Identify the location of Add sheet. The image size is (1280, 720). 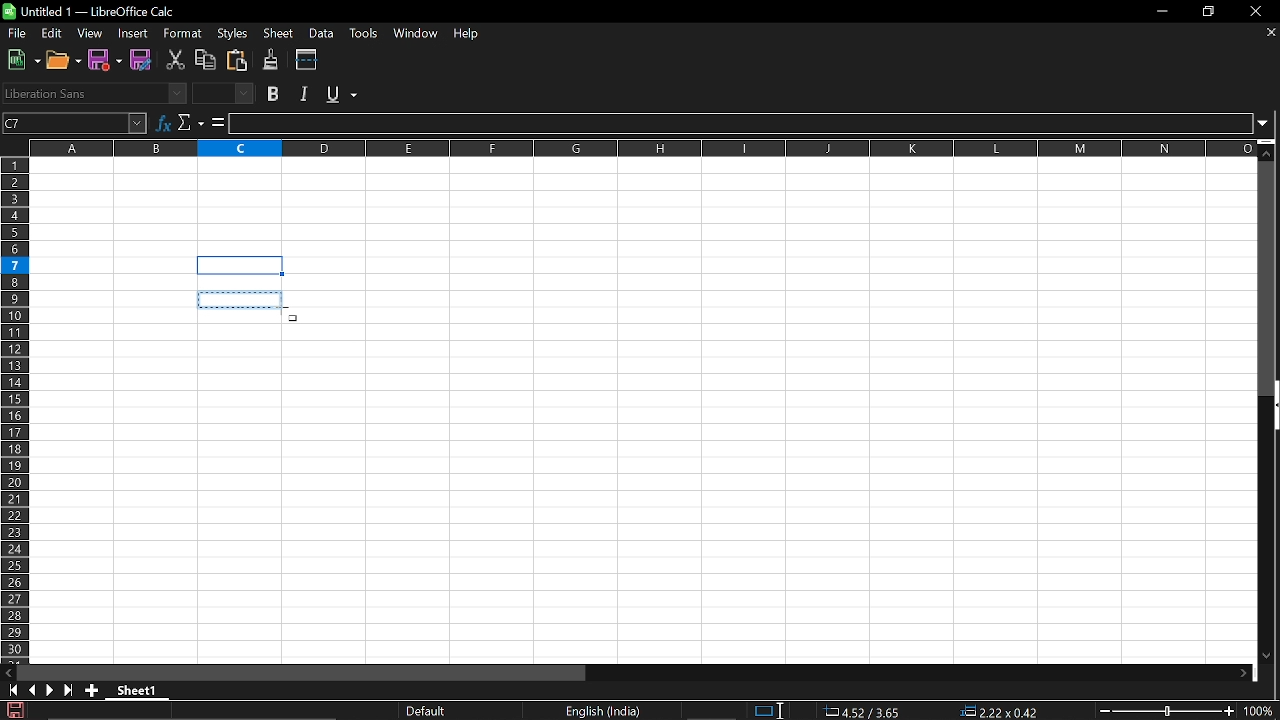
(91, 690).